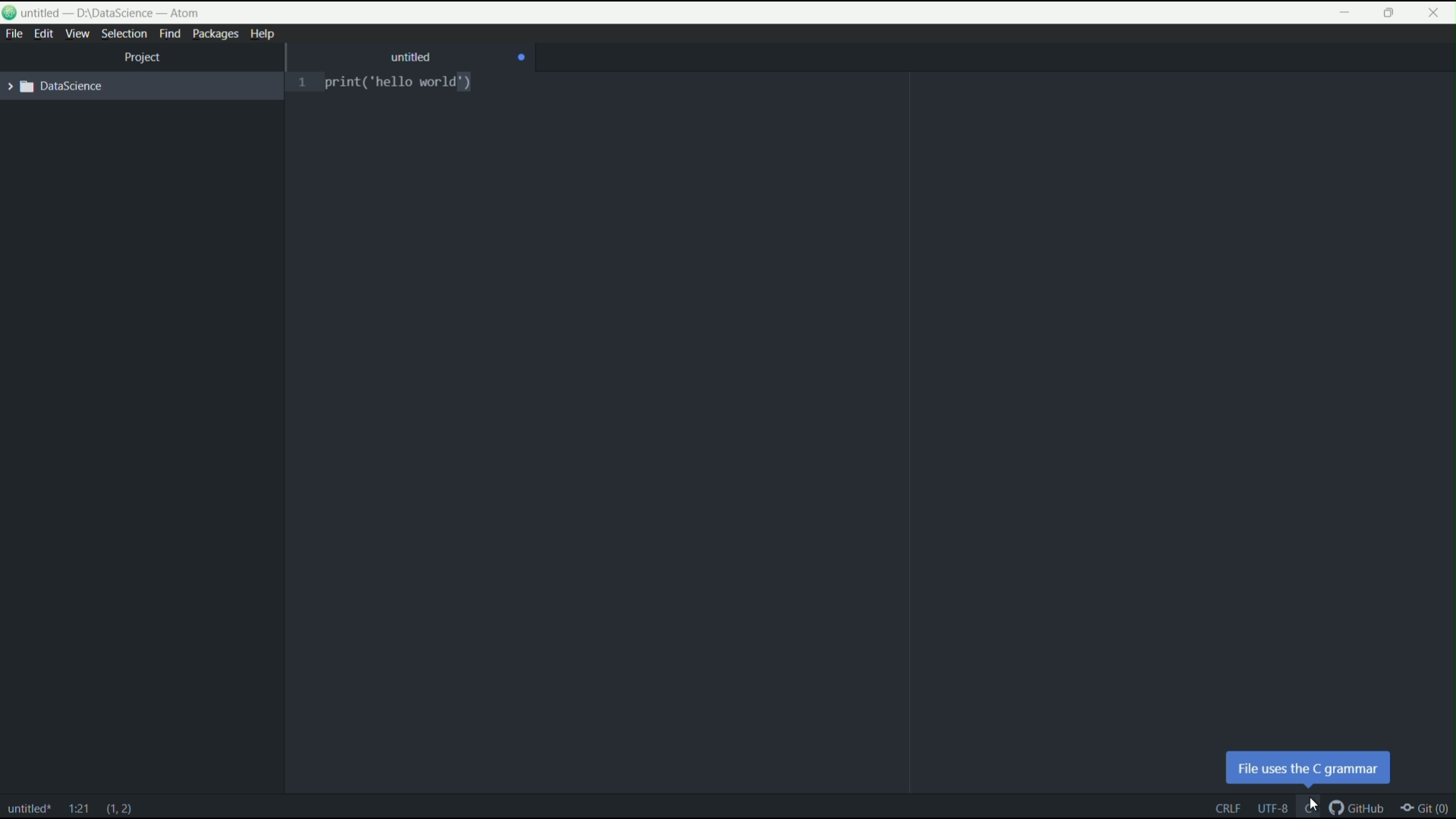 This screenshot has width=1456, height=819. Describe the element at coordinates (29, 811) in the screenshot. I see `file name` at that location.